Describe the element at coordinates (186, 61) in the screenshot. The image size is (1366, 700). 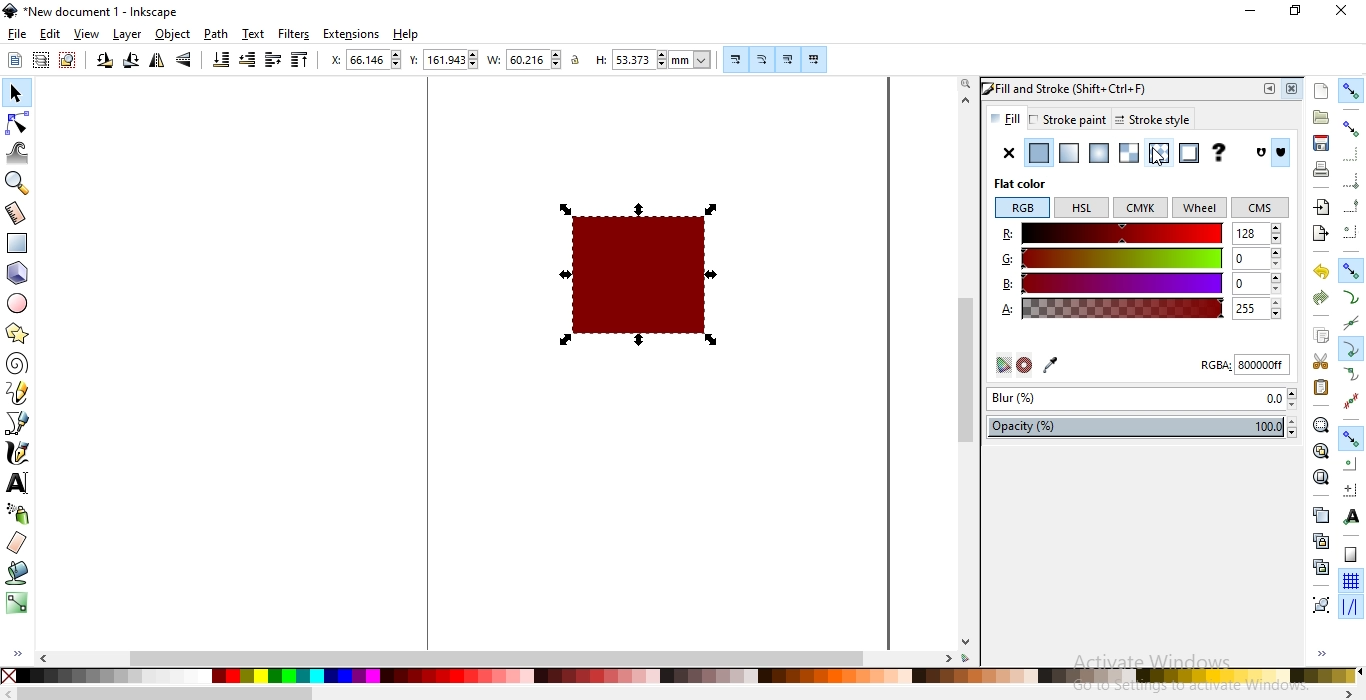
I see `flip vertically` at that location.